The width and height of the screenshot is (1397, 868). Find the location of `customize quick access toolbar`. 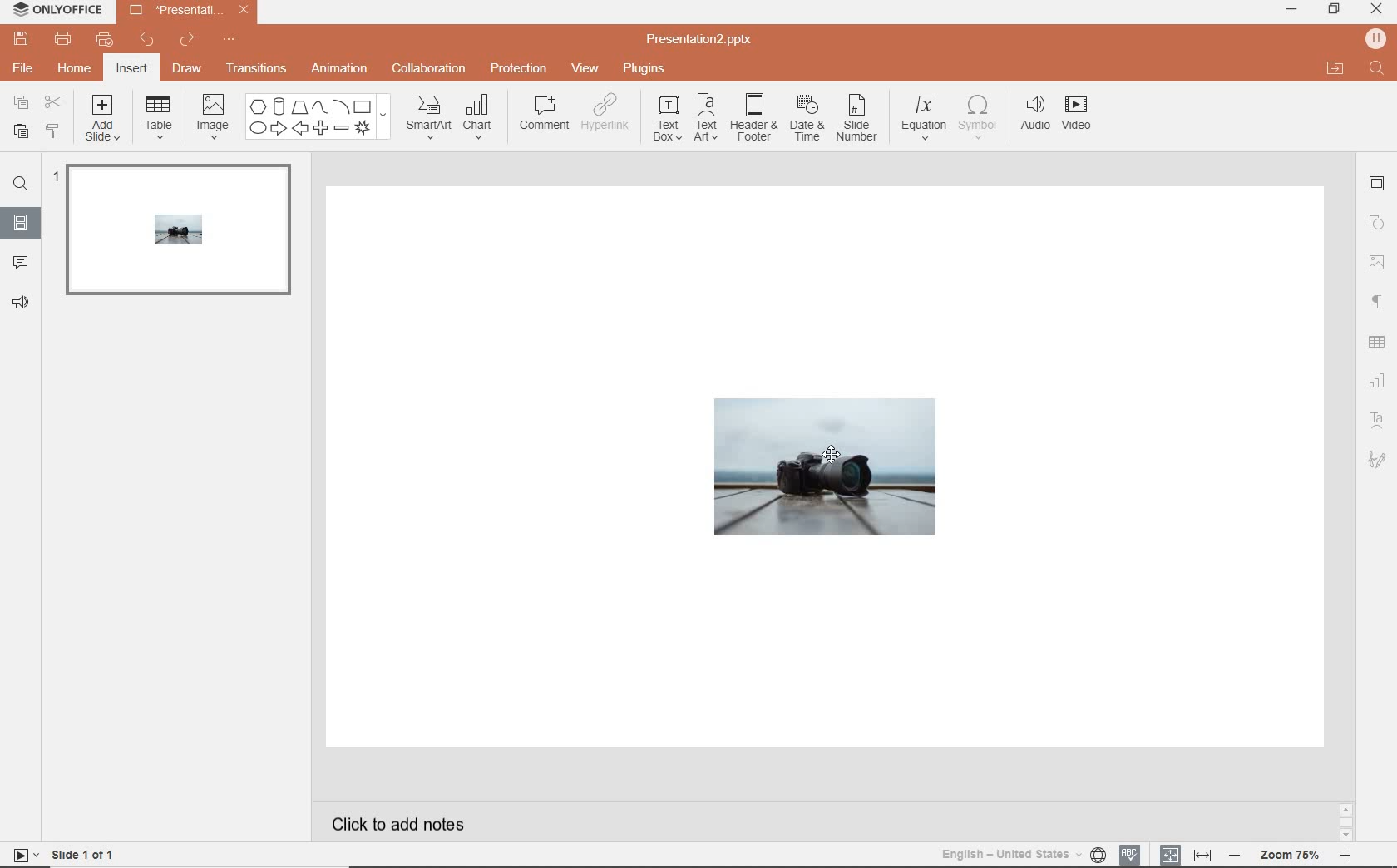

customize quick access toolbar is located at coordinates (239, 42).